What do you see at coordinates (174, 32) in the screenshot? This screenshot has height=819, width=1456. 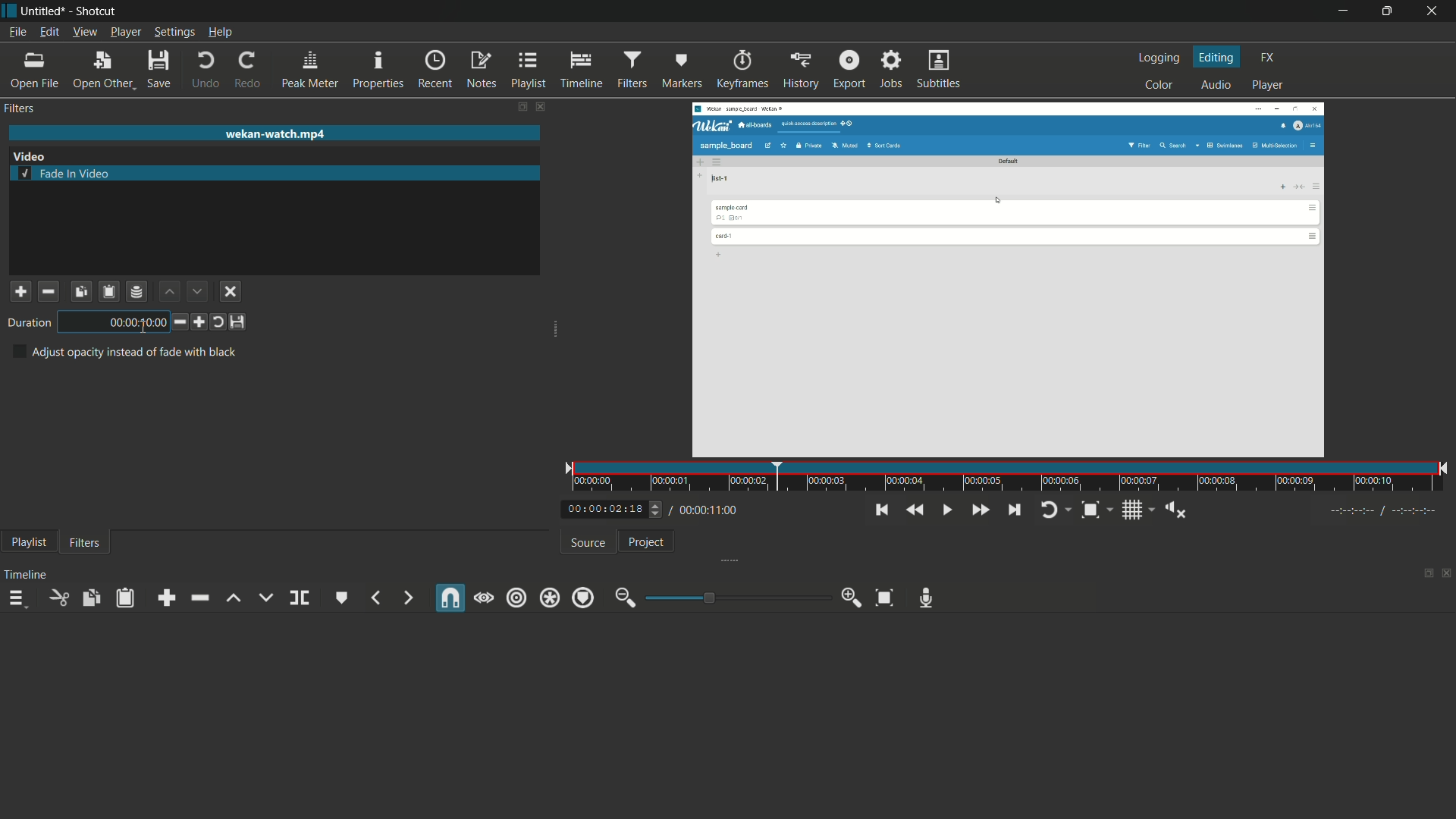 I see `settings menu` at bounding box center [174, 32].